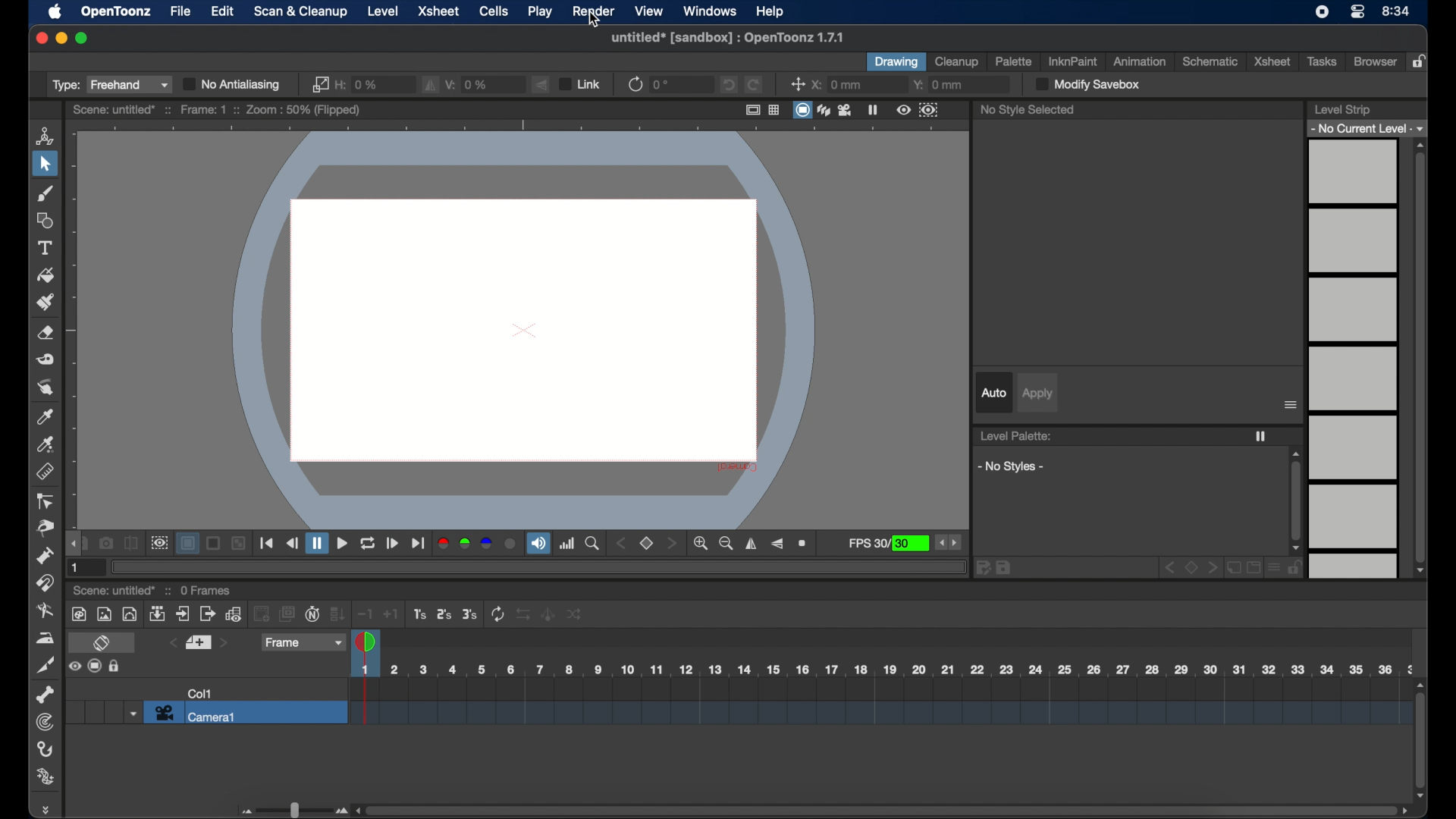  What do you see at coordinates (431, 84) in the screenshot?
I see `fill horizontally` at bounding box center [431, 84].